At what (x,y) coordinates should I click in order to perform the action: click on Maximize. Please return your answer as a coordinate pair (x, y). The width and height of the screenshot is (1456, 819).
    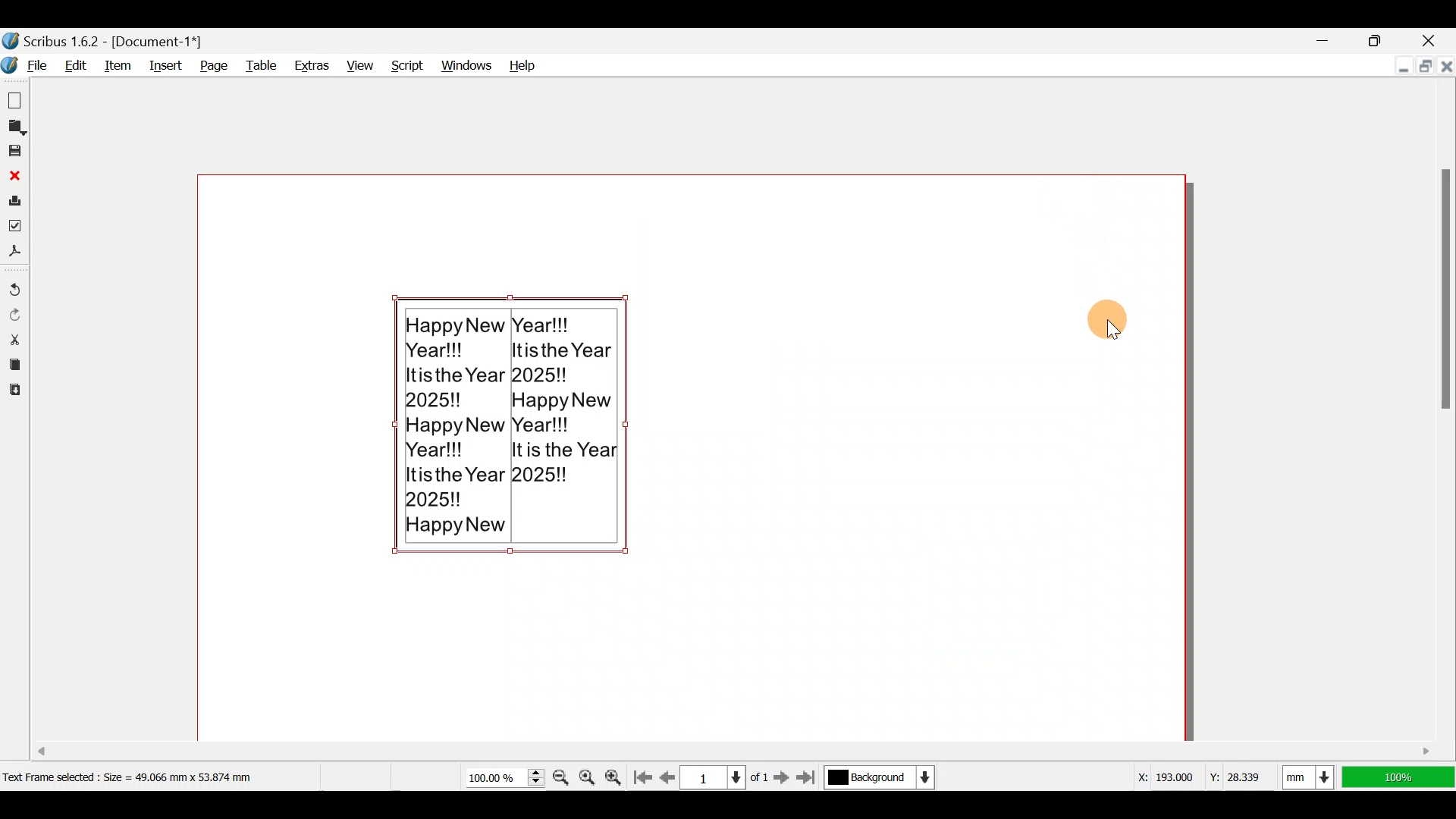
    Looking at the image, I should click on (1389, 39).